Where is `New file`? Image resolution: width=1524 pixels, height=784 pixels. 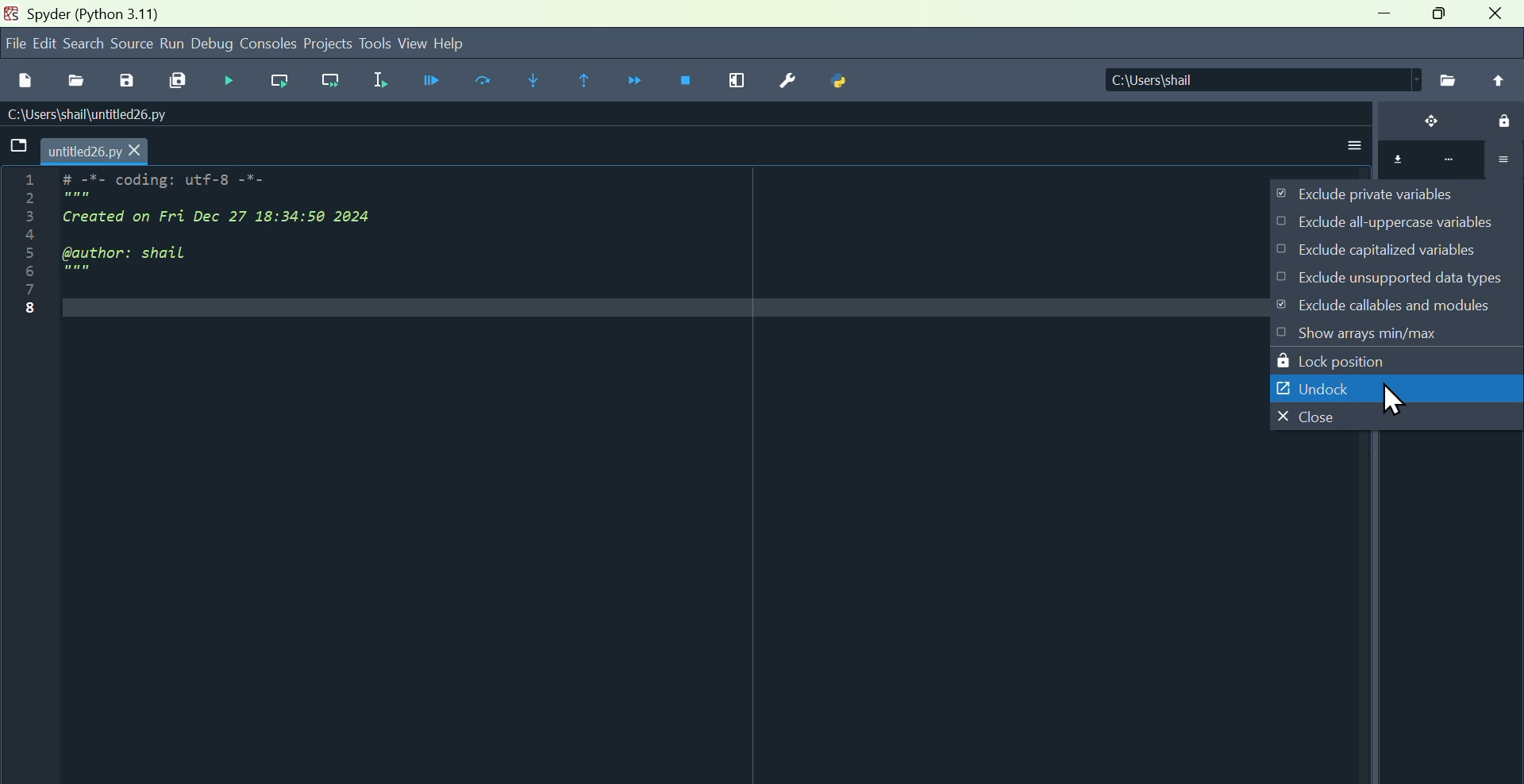 New file is located at coordinates (25, 77).